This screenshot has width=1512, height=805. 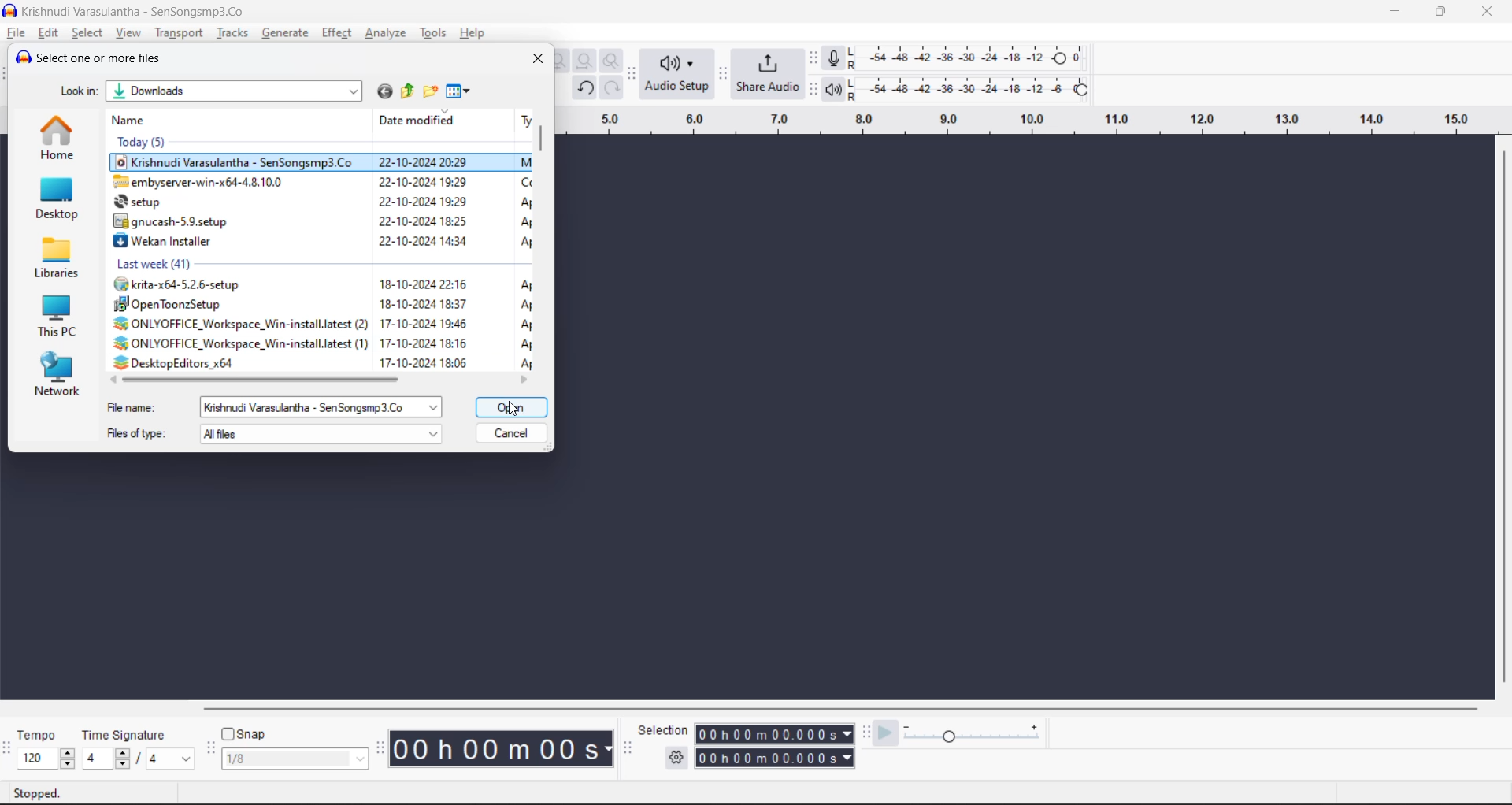 What do you see at coordinates (322, 302) in the screenshot?
I see `#5 OpenToonzSetup 18-10-2024 18:37 A` at bounding box center [322, 302].